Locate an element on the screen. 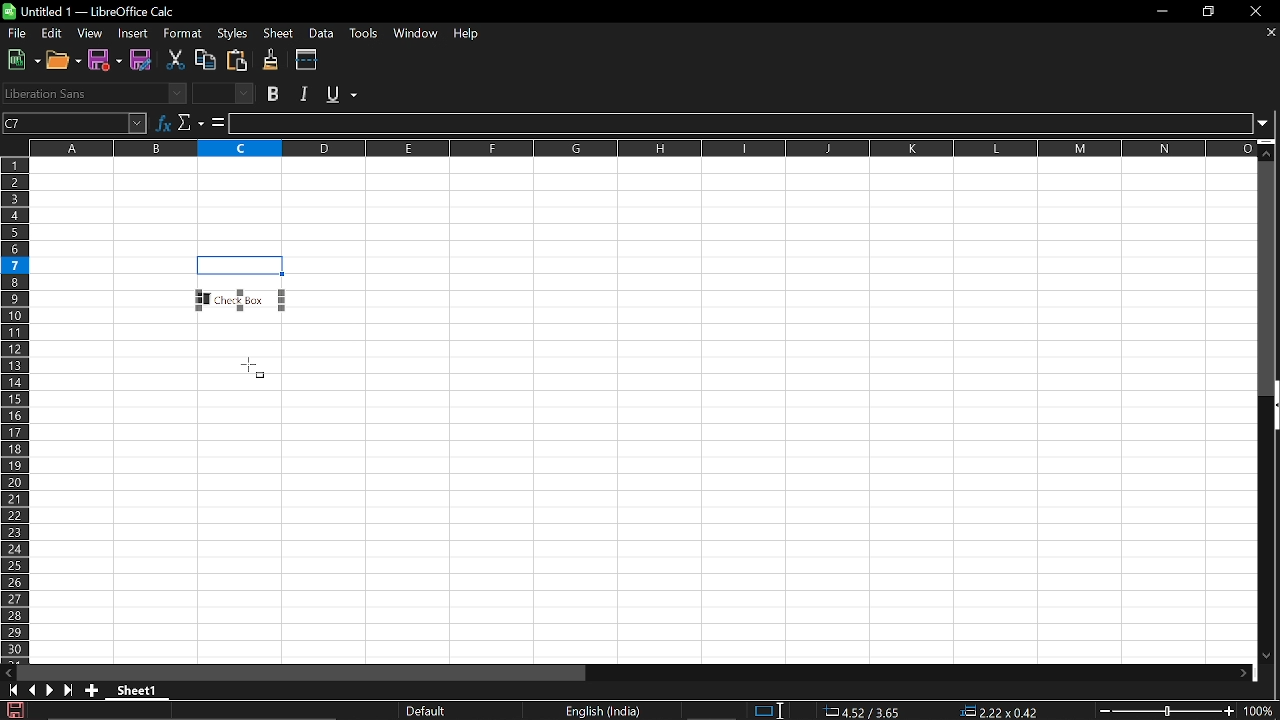 The height and width of the screenshot is (720, 1280). Sheet is located at coordinates (281, 34).